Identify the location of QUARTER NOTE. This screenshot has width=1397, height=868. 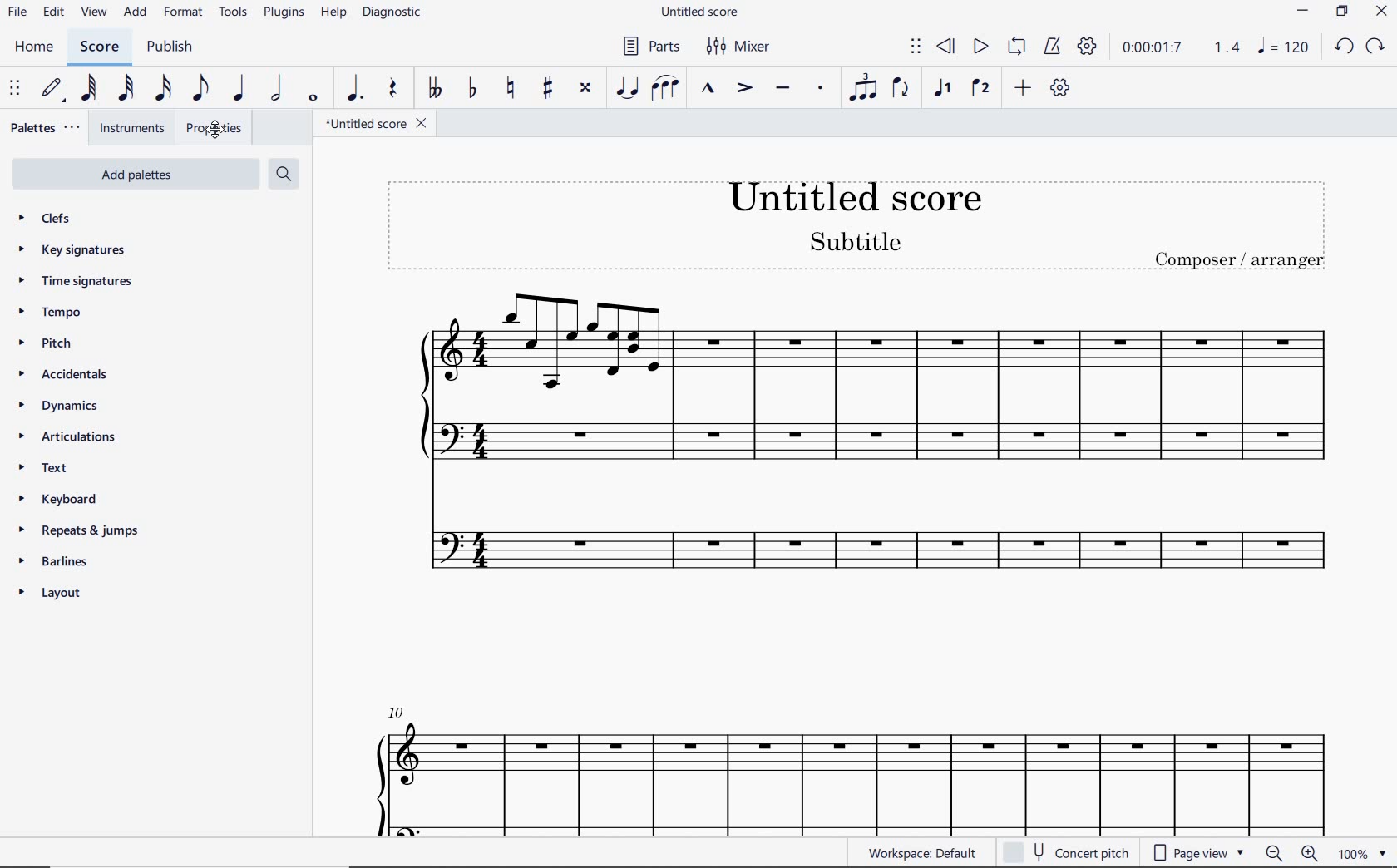
(240, 87).